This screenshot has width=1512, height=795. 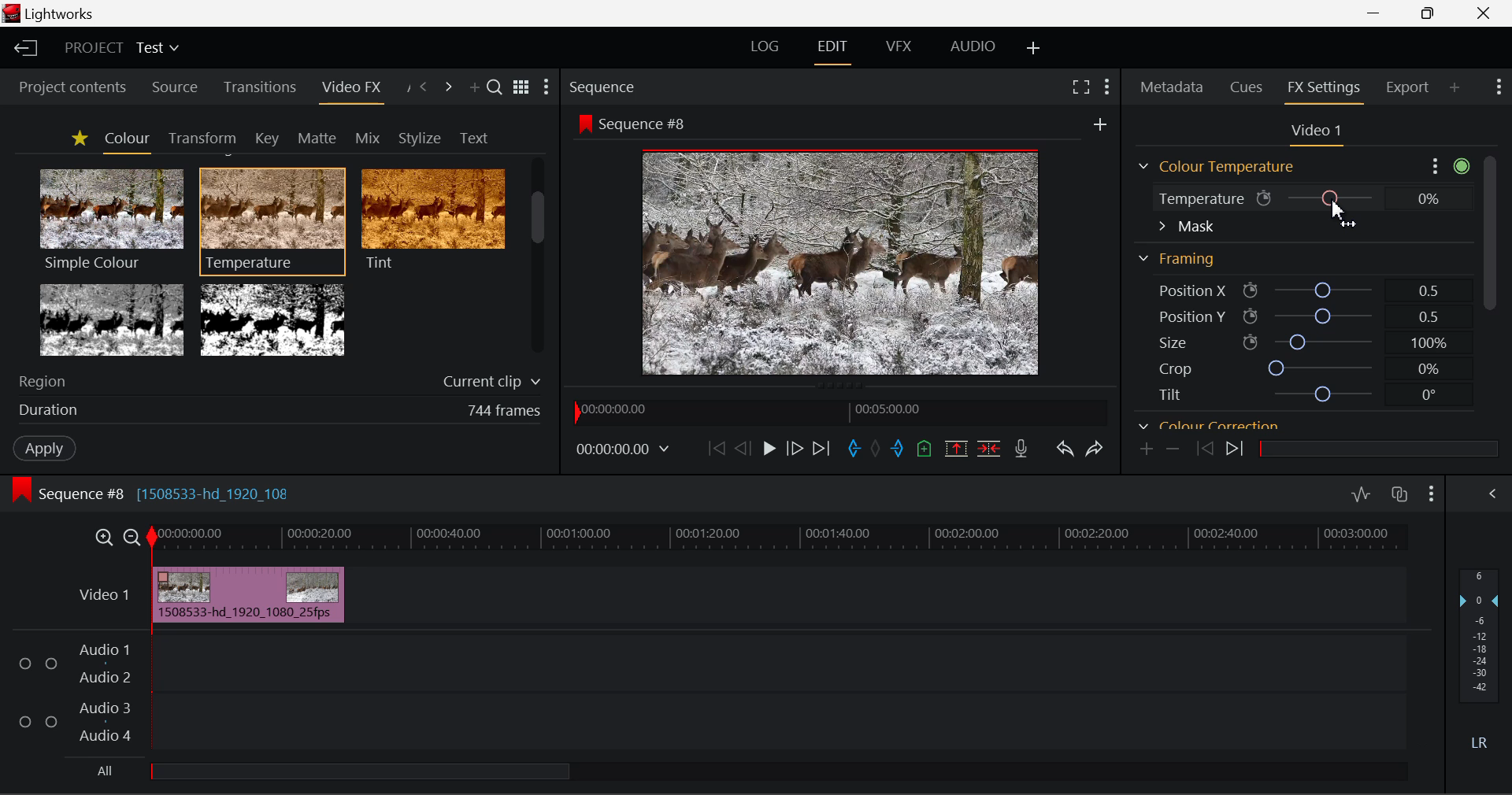 I want to click on Sequence #8 [1508533-hd_1920_108, so click(x=169, y=490).